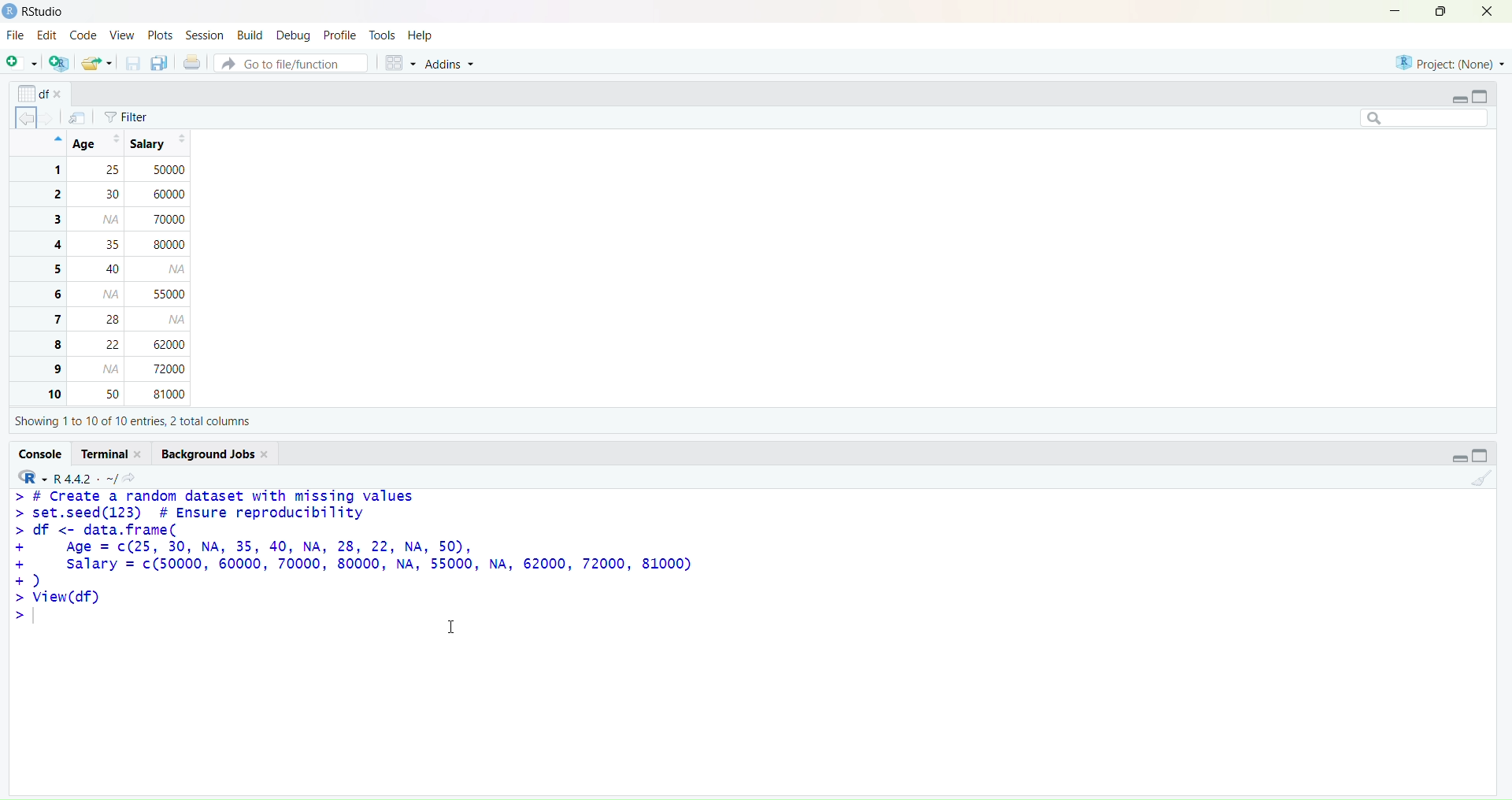 The image size is (1512, 800). I want to click on maximize, so click(1435, 11).